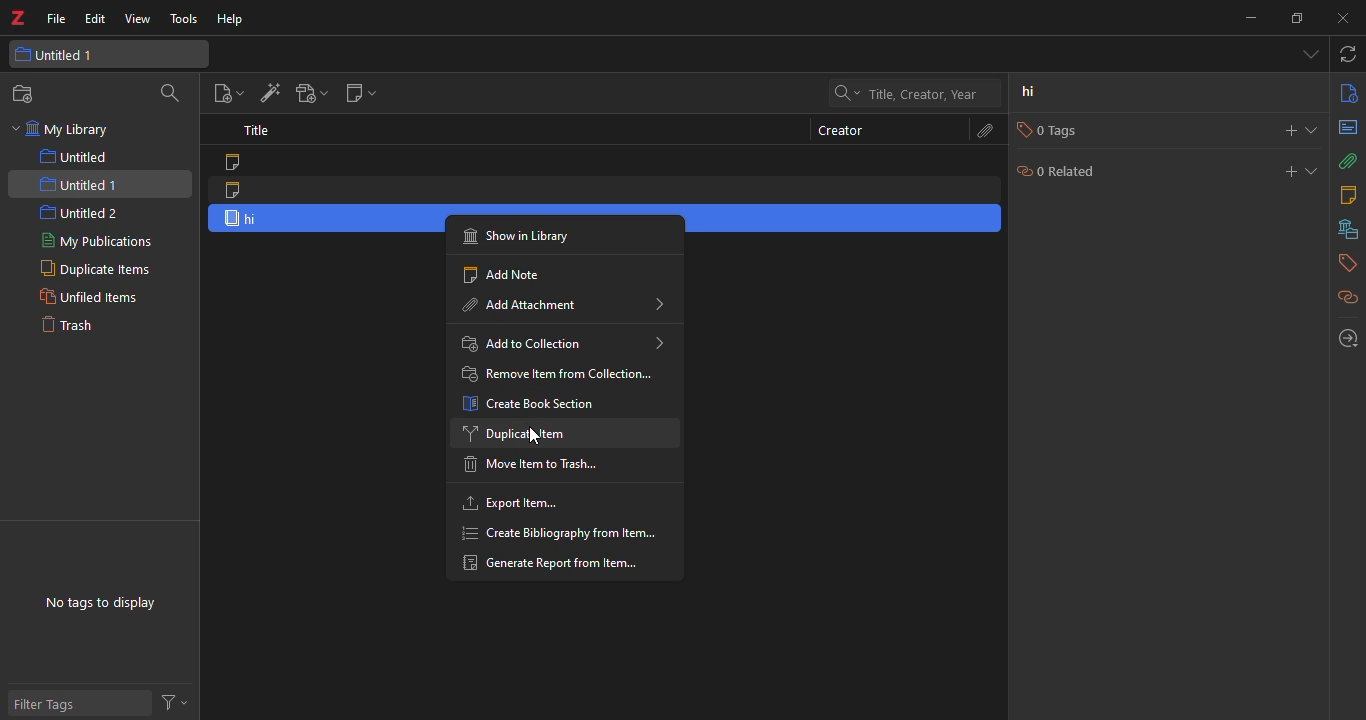 The image size is (1366, 720). I want to click on related, so click(1347, 299).